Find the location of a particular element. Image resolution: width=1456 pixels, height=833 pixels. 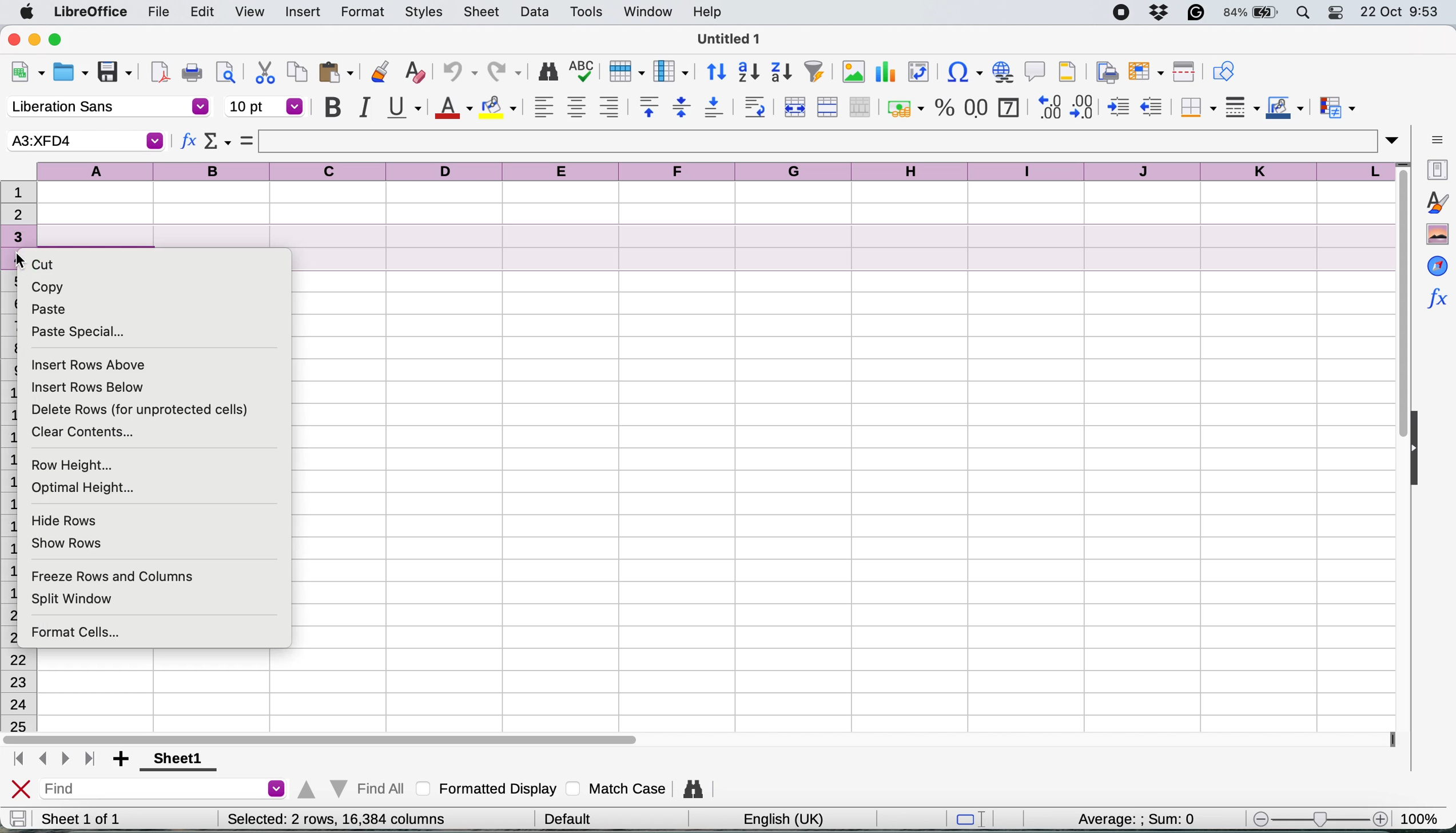

clone formatting is located at coordinates (378, 73).